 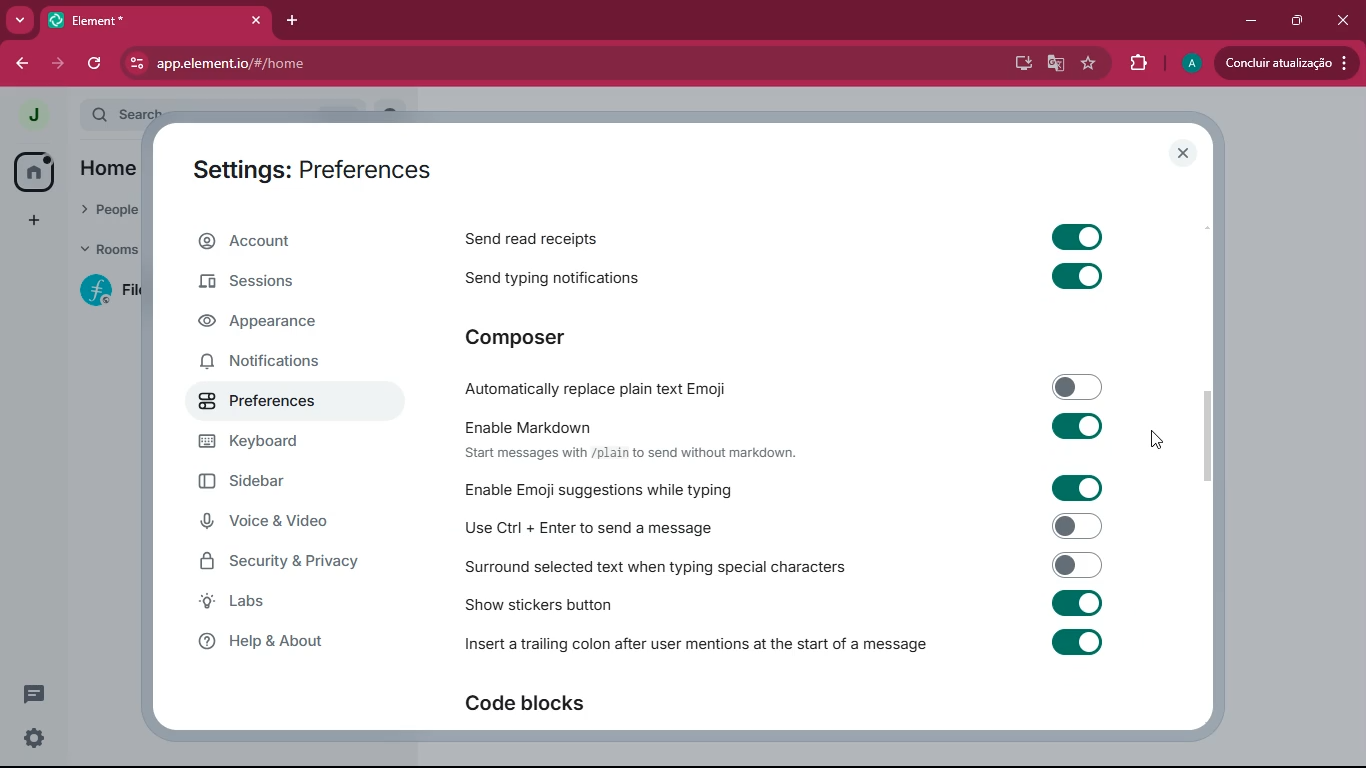 I want to click on toggle on or off, so click(x=1071, y=488).